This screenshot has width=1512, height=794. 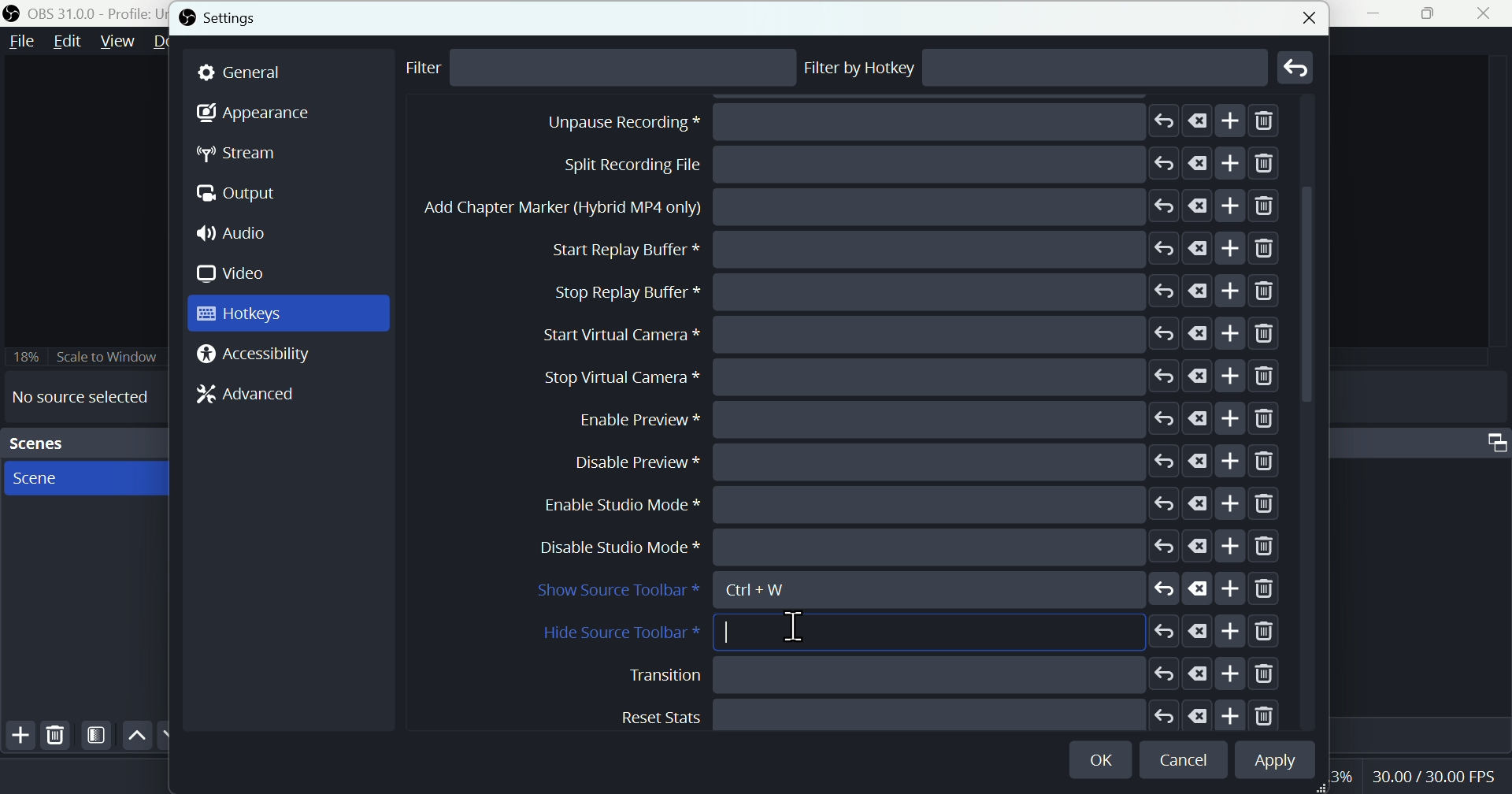 I want to click on Filter, so click(x=435, y=69).